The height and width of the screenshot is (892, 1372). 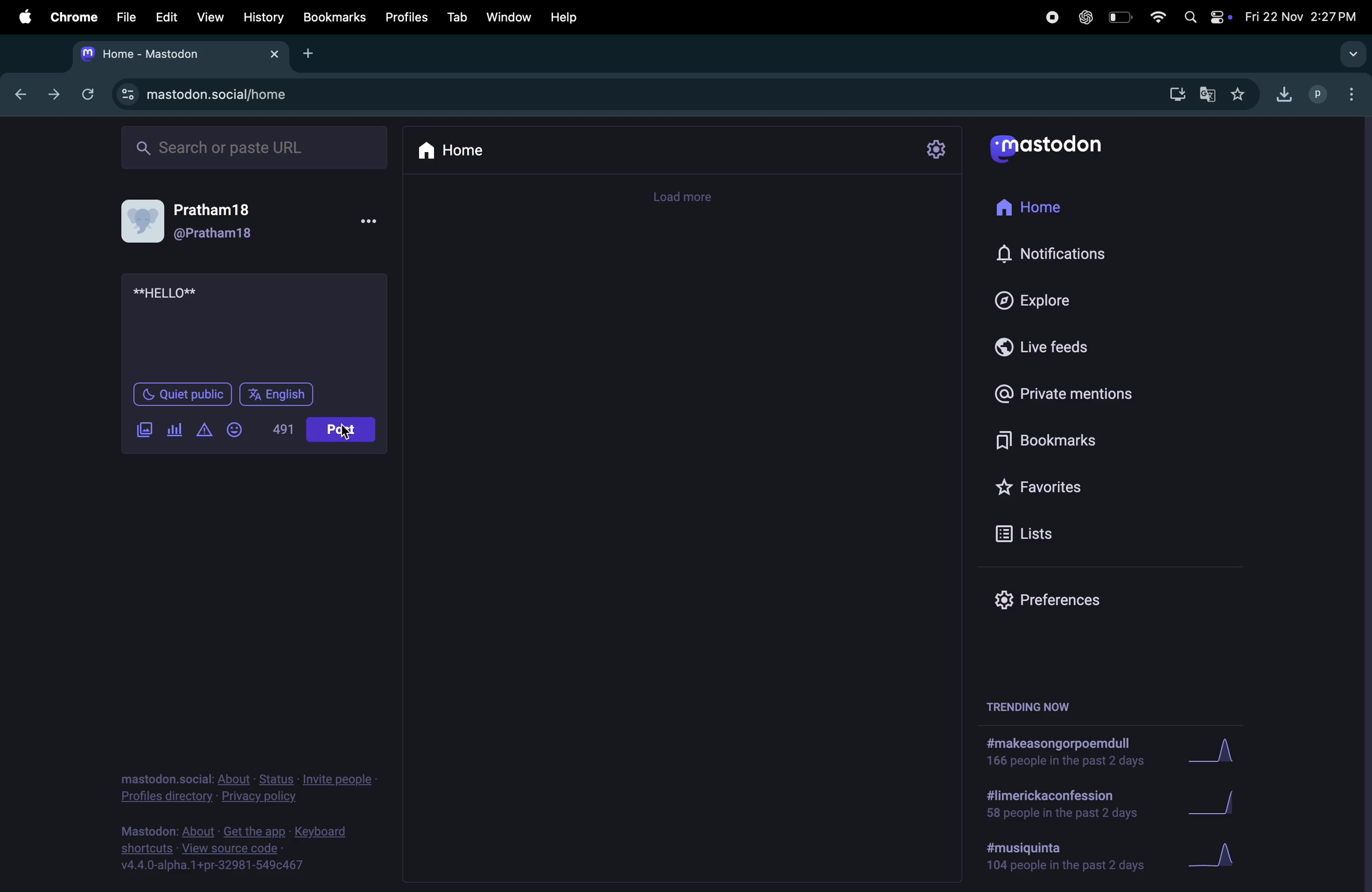 What do you see at coordinates (147, 56) in the screenshot?
I see `tab` at bounding box center [147, 56].